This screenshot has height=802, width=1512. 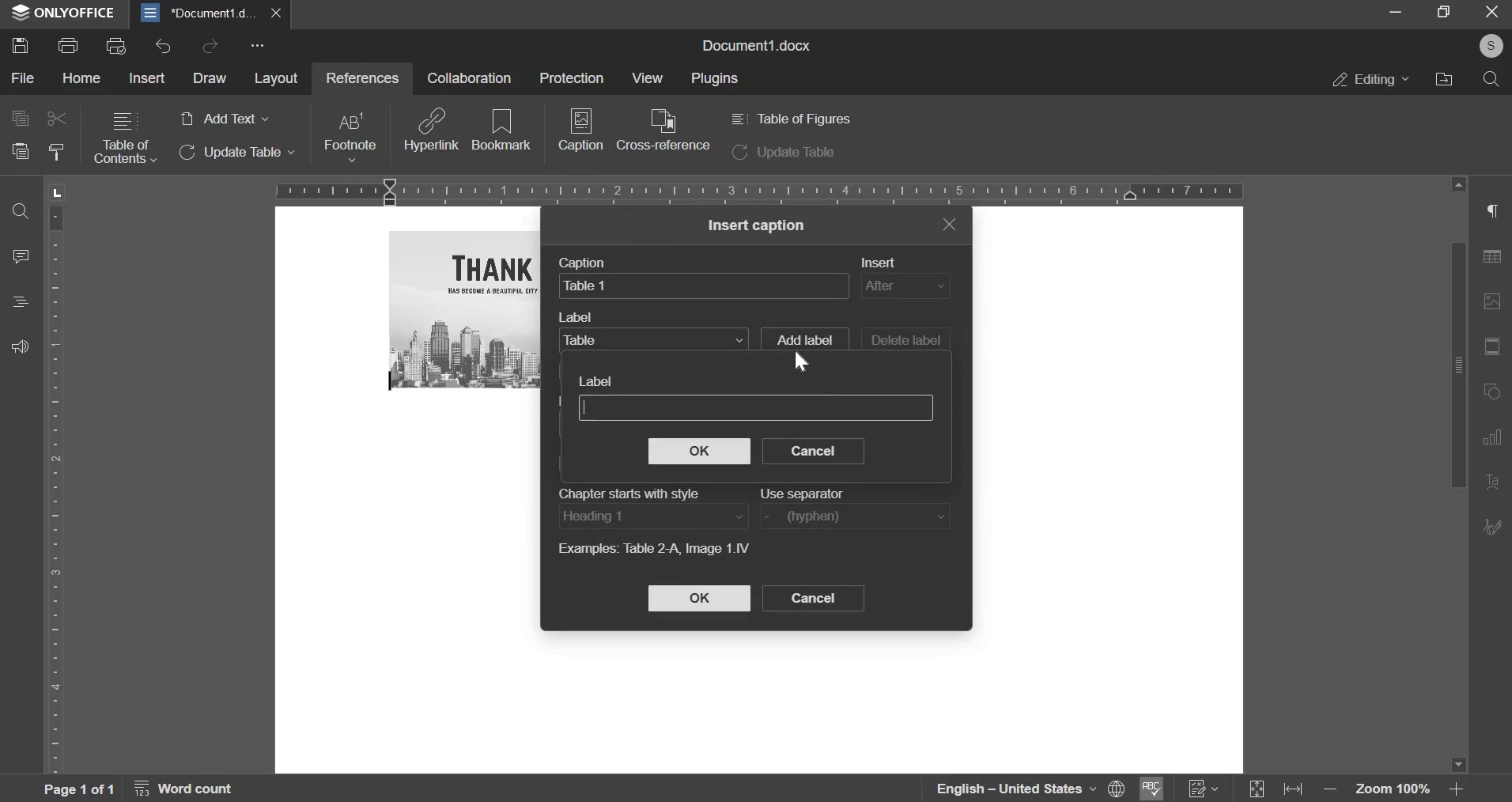 What do you see at coordinates (758, 225) in the screenshot?
I see `insert caption` at bounding box center [758, 225].